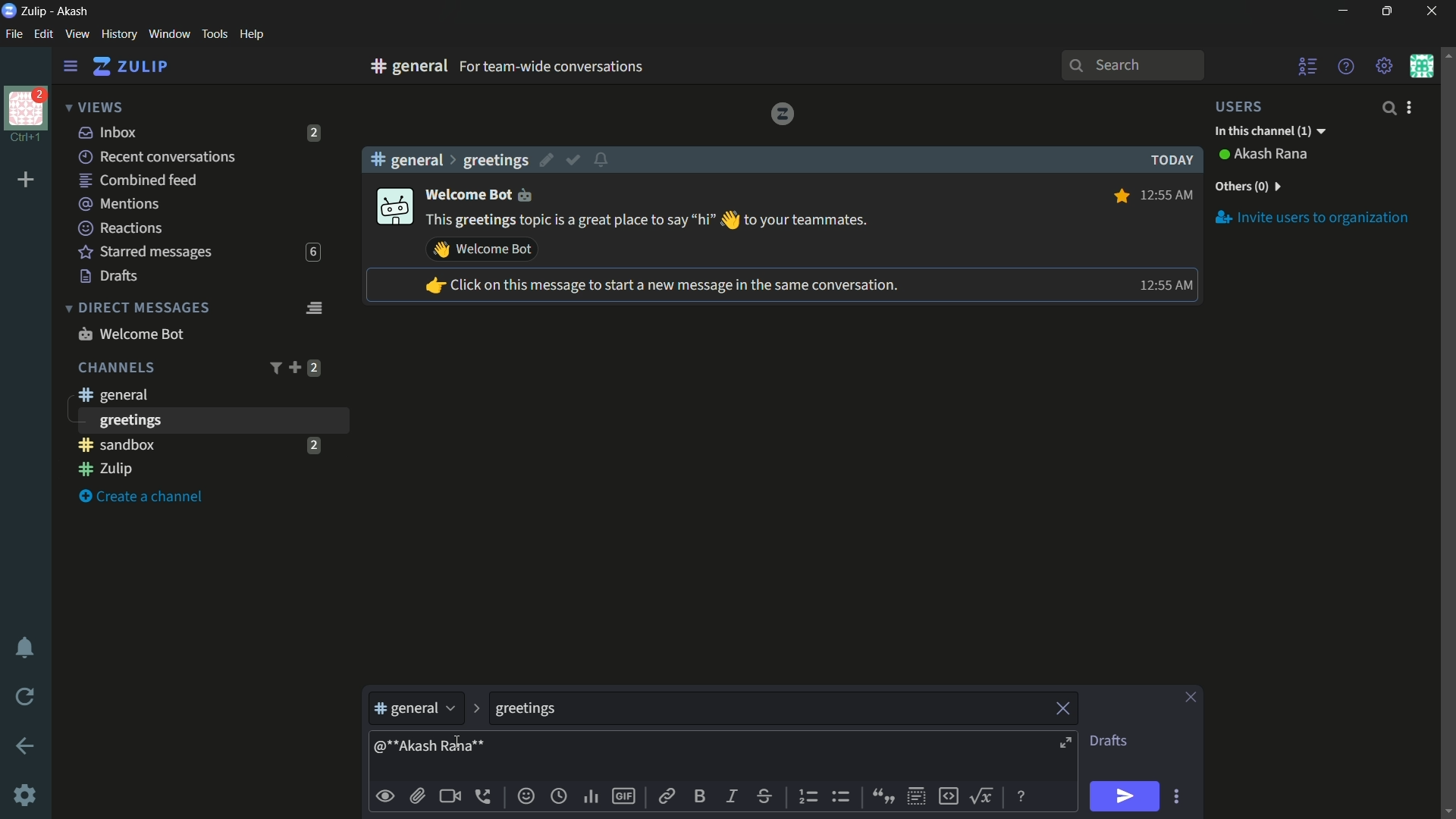 The image size is (1456, 819). Describe the element at coordinates (137, 181) in the screenshot. I see `combined feed` at that location.